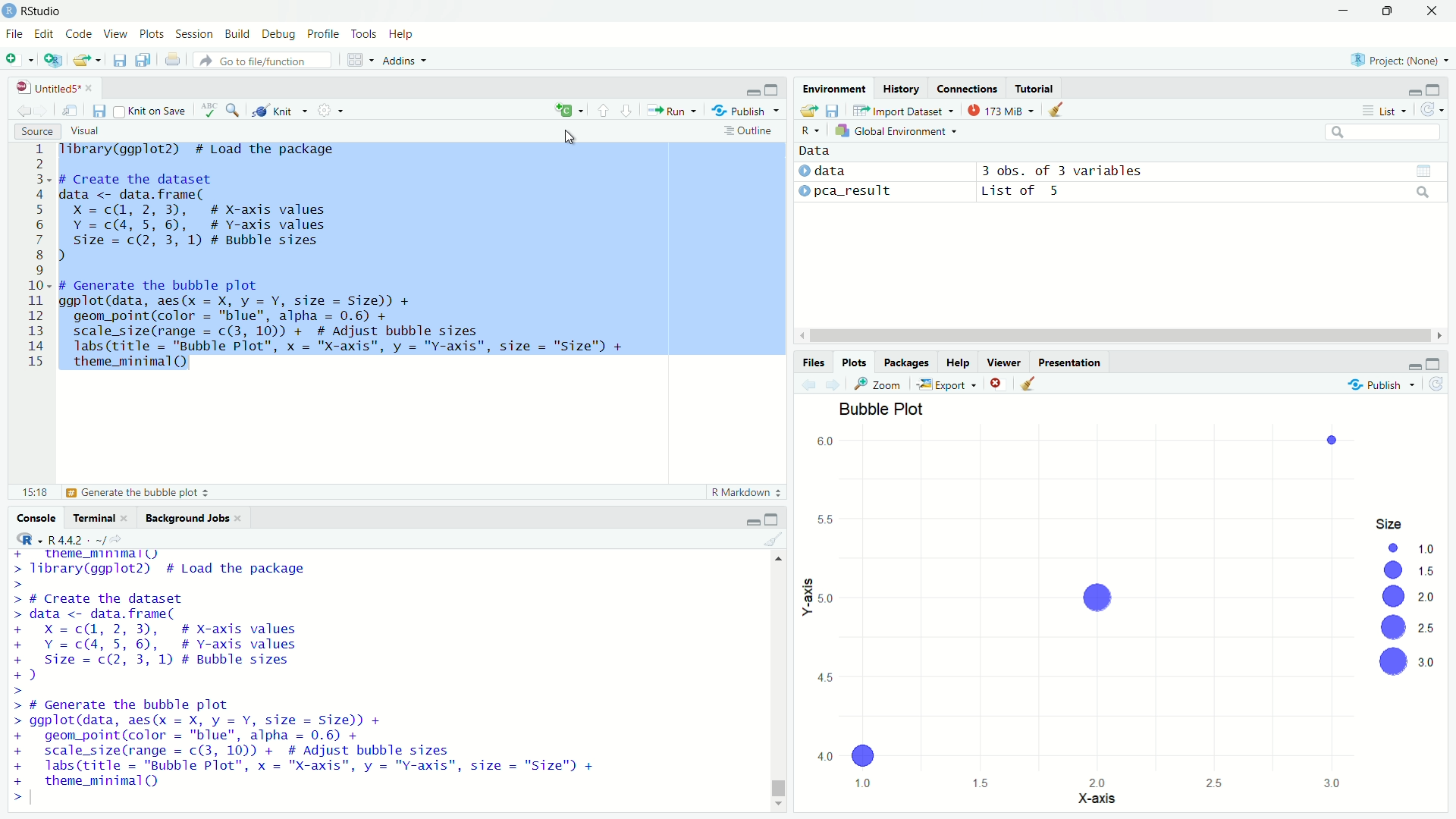  I want to click on Run, so click(671, 109).